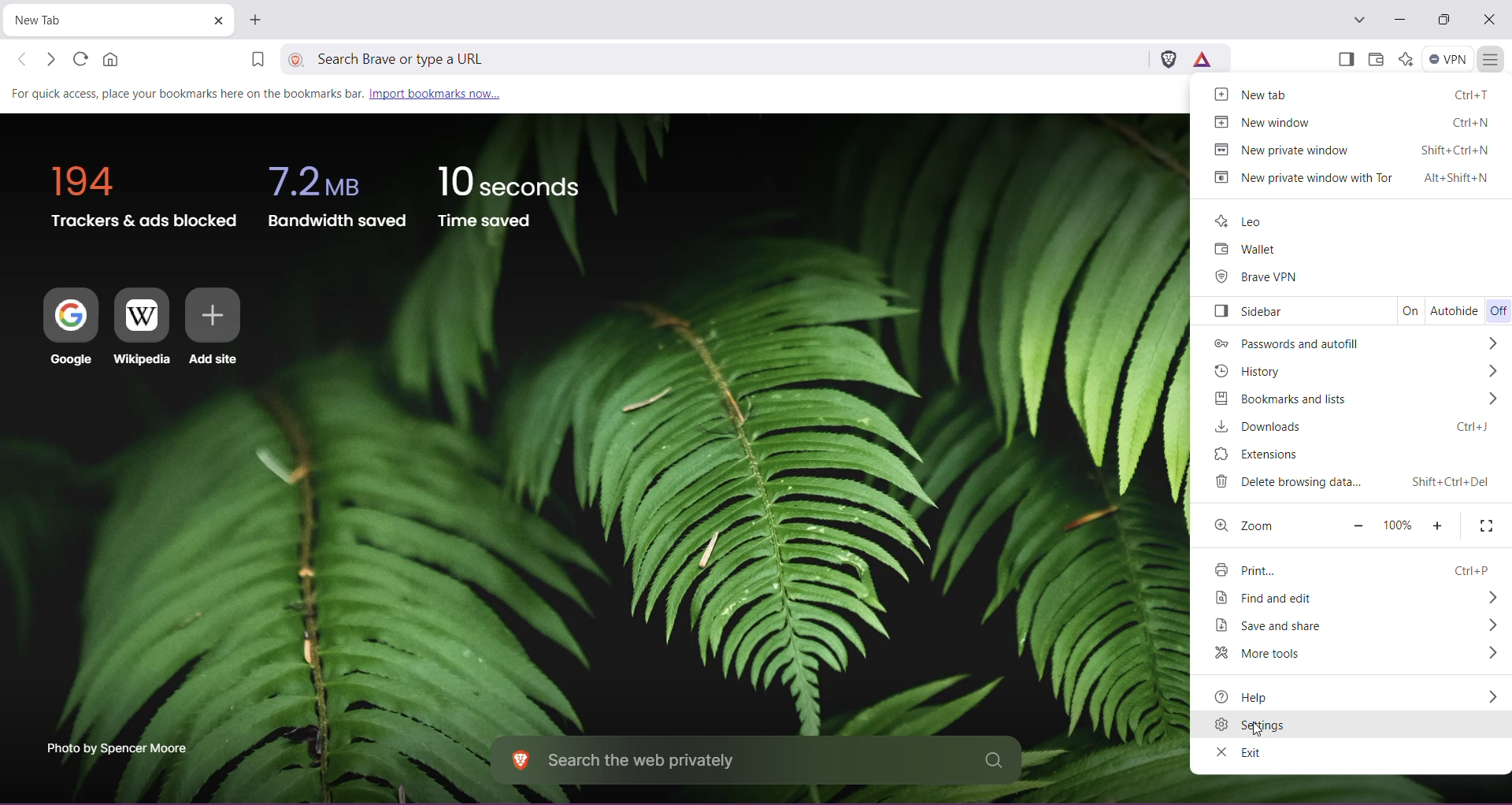 Image resolution: width=1512 pixels, height=805 pixels. I want to click on Brave VPN, so click(1256, 278).